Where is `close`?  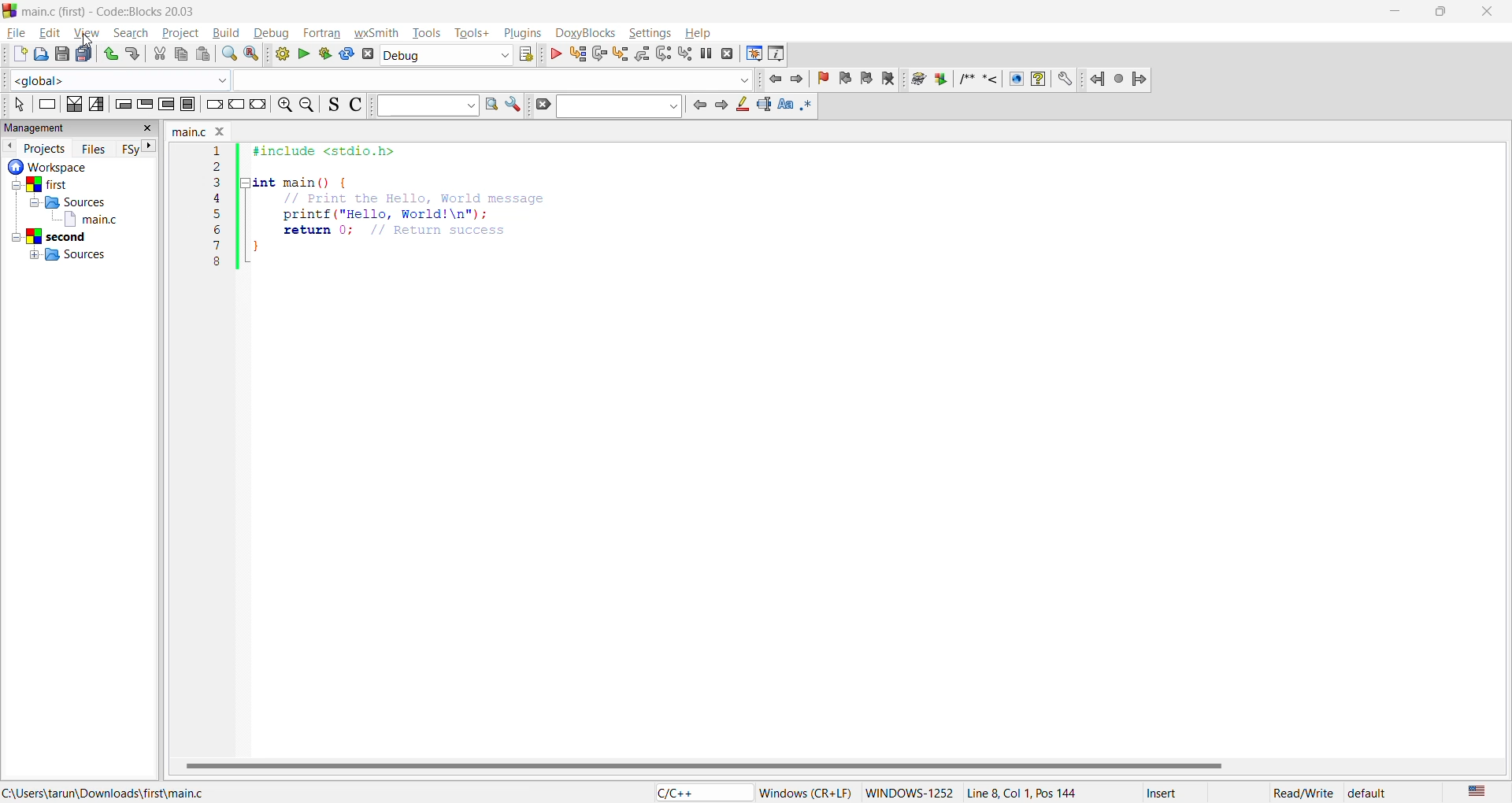 close is located at coordinates (1488, 12).